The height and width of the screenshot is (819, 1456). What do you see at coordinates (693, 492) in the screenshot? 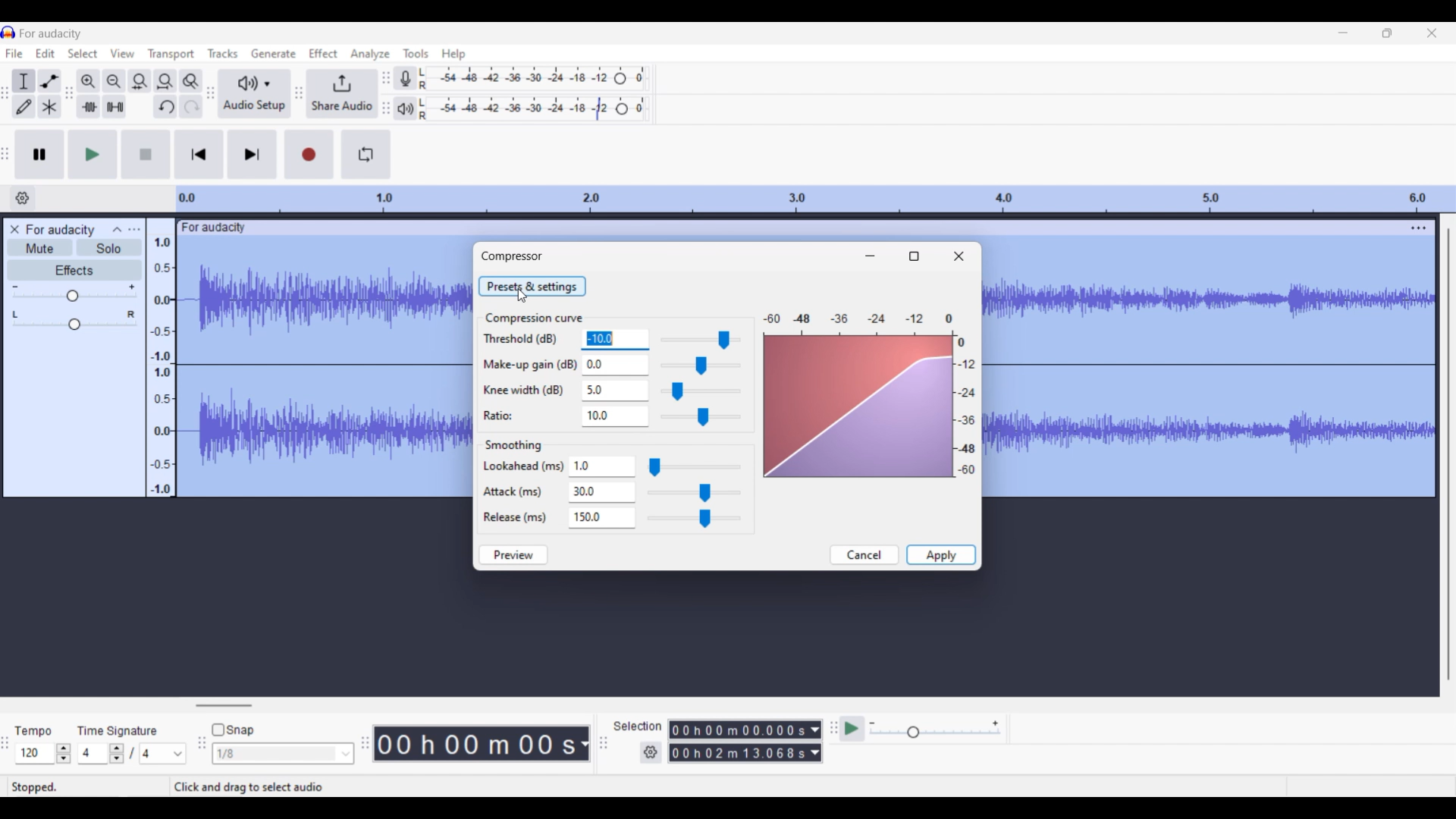
I see `Attack slider` at bounding box center [693, 492].